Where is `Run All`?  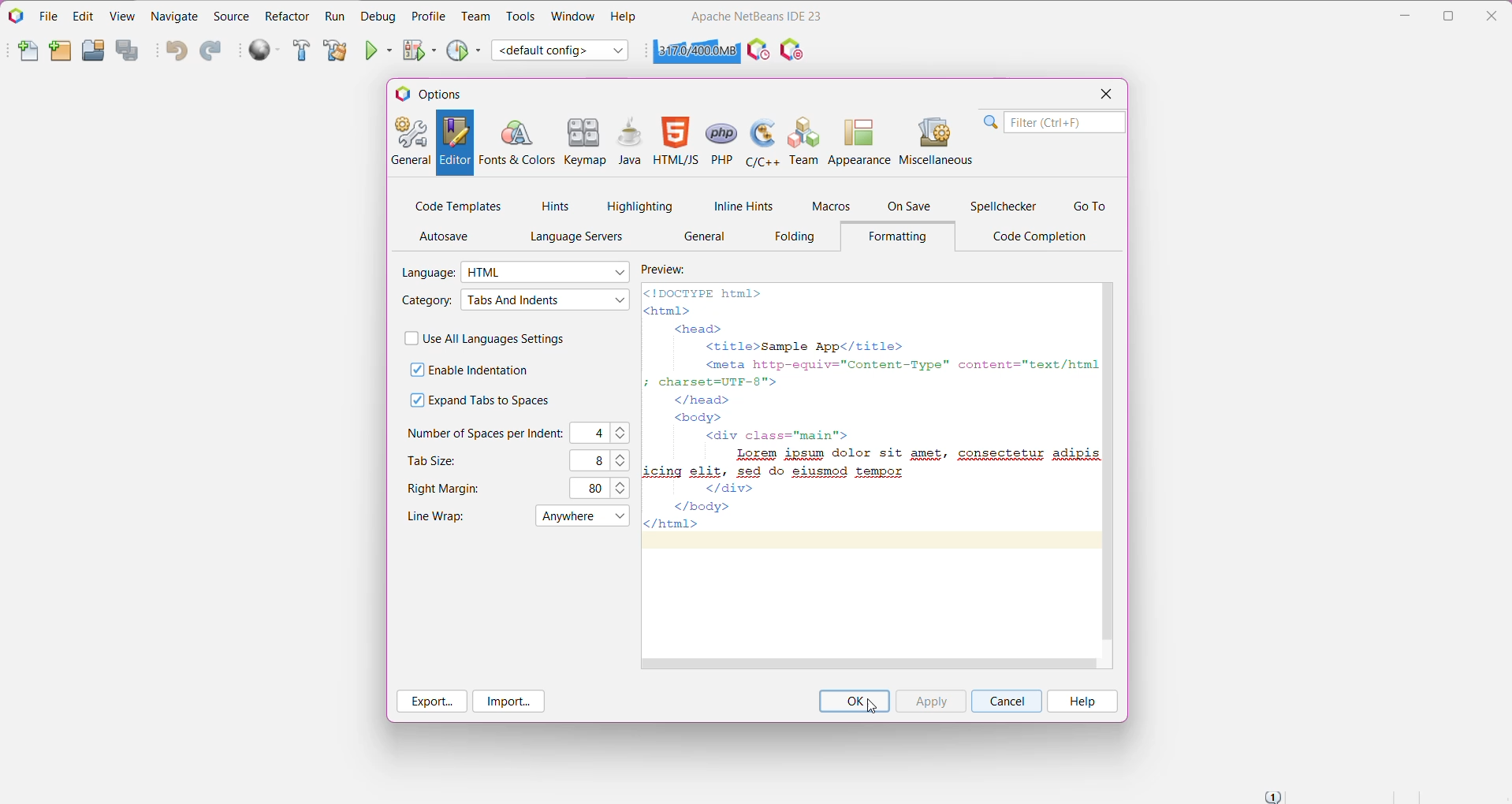 Run All is located at coordinates (266, 50).